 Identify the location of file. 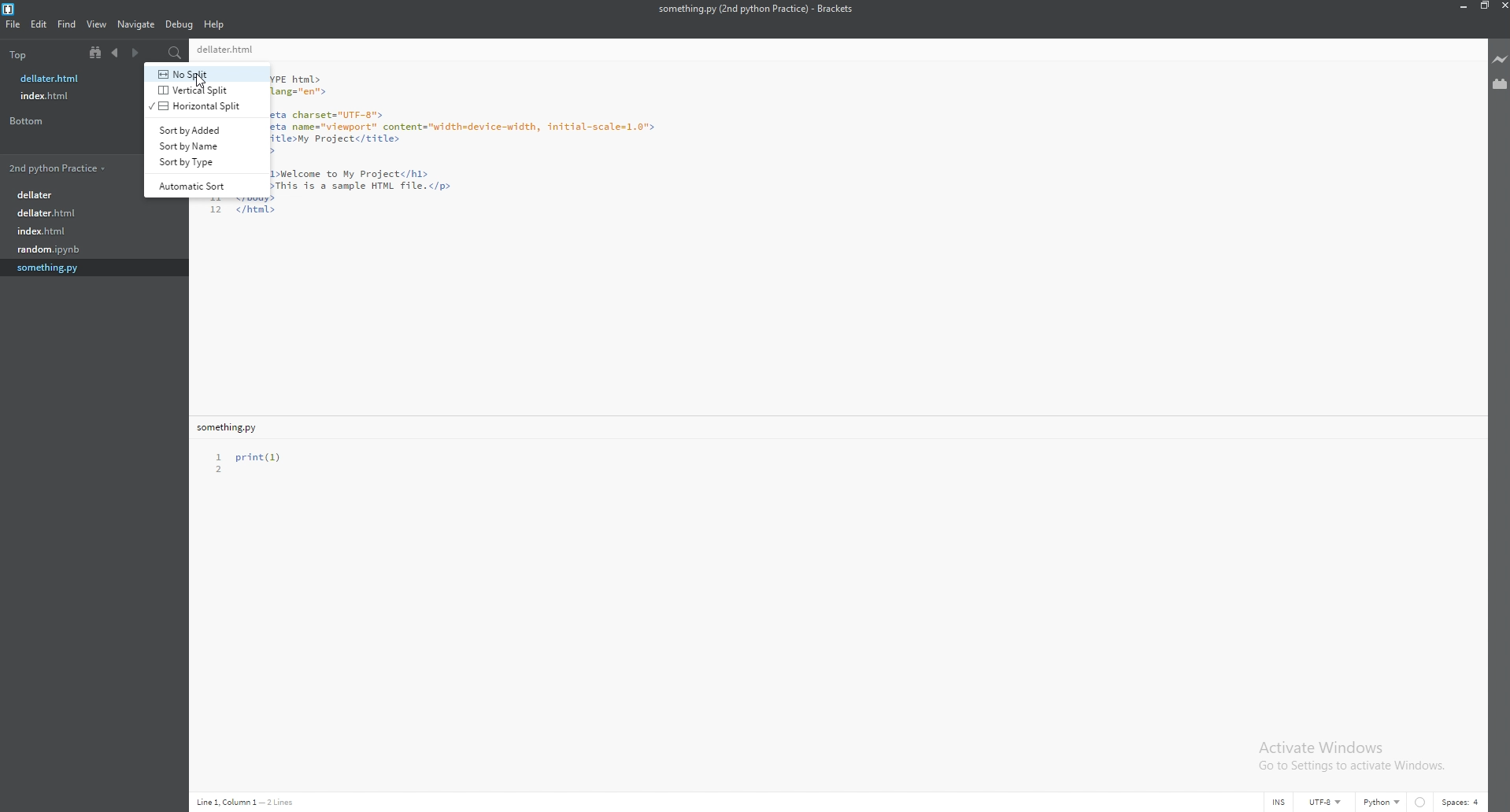
(80, 230).